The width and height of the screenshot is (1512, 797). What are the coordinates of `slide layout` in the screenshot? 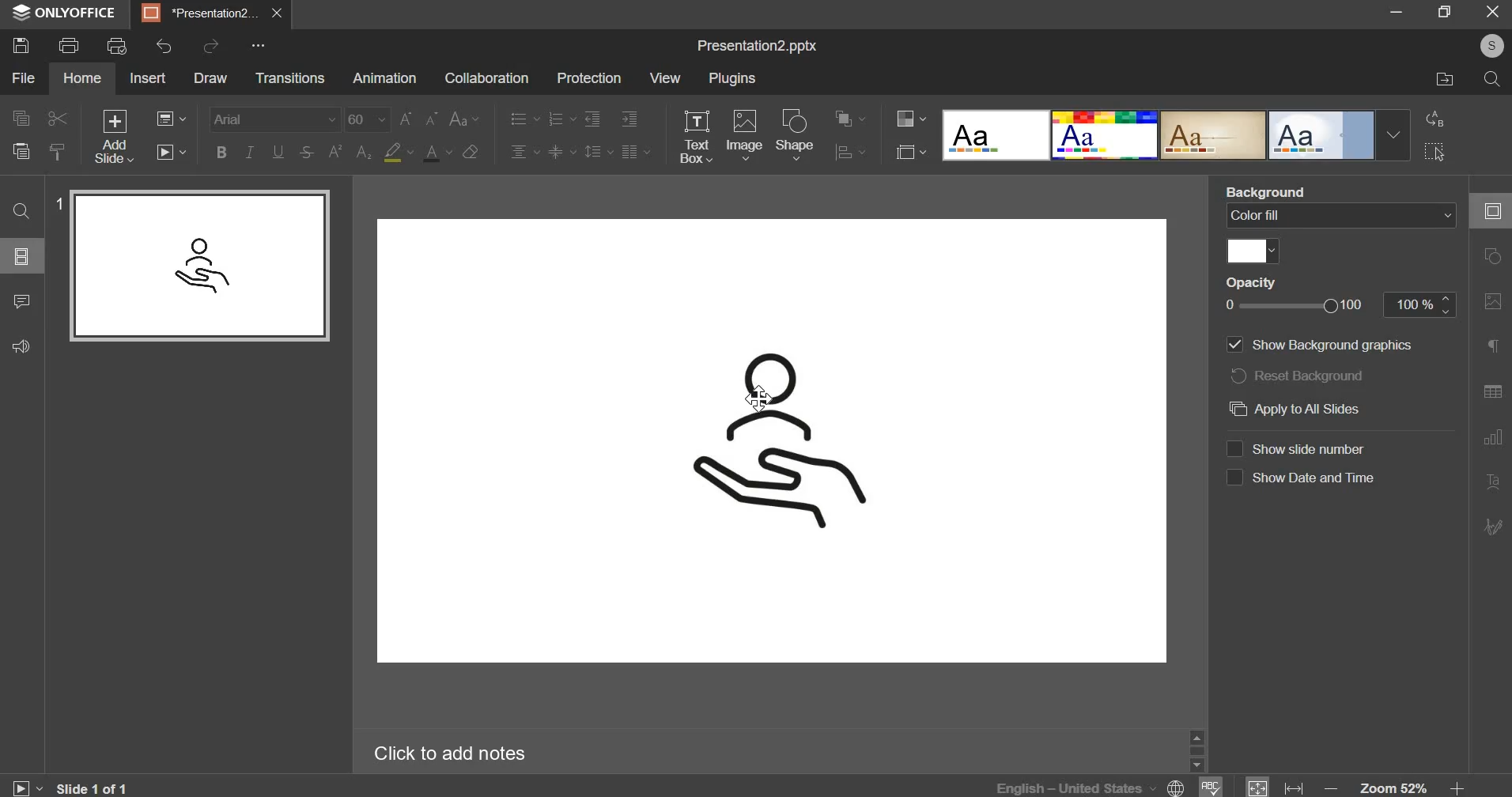 It's located at (22, 255).